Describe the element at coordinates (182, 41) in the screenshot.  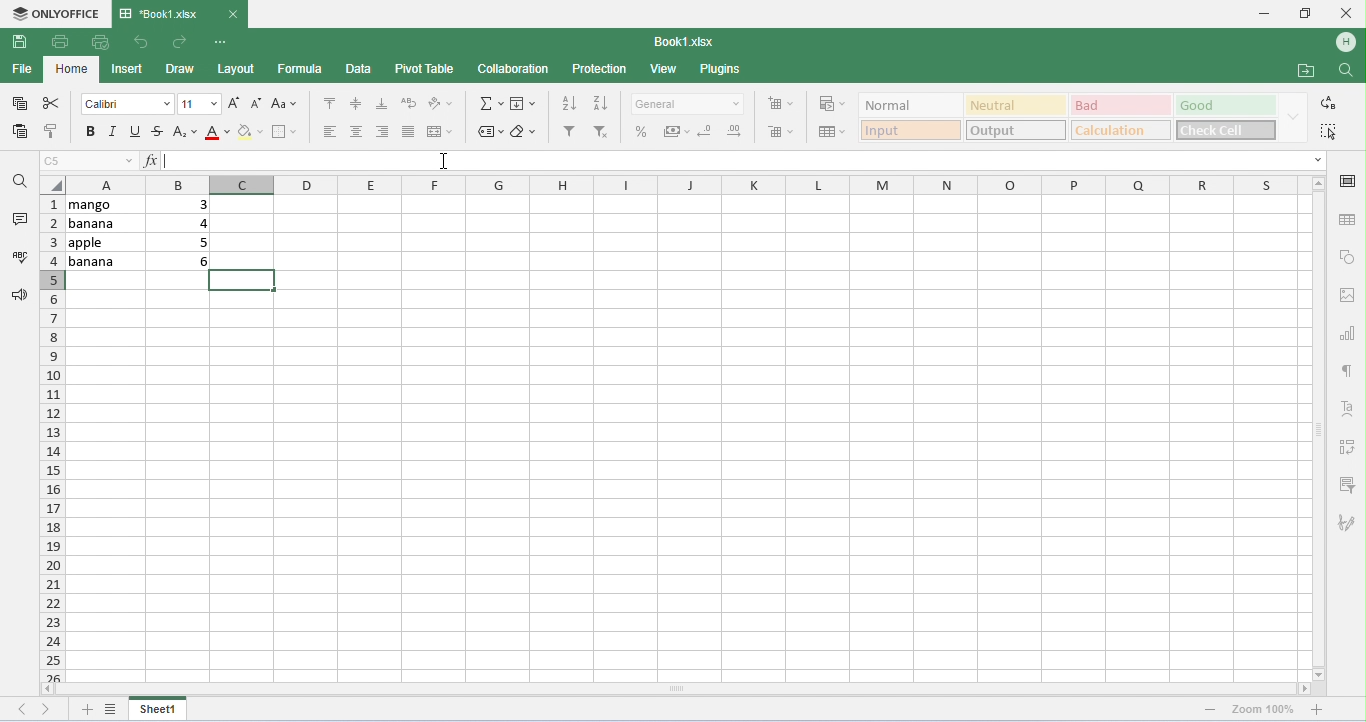
I see `redo` at that location.